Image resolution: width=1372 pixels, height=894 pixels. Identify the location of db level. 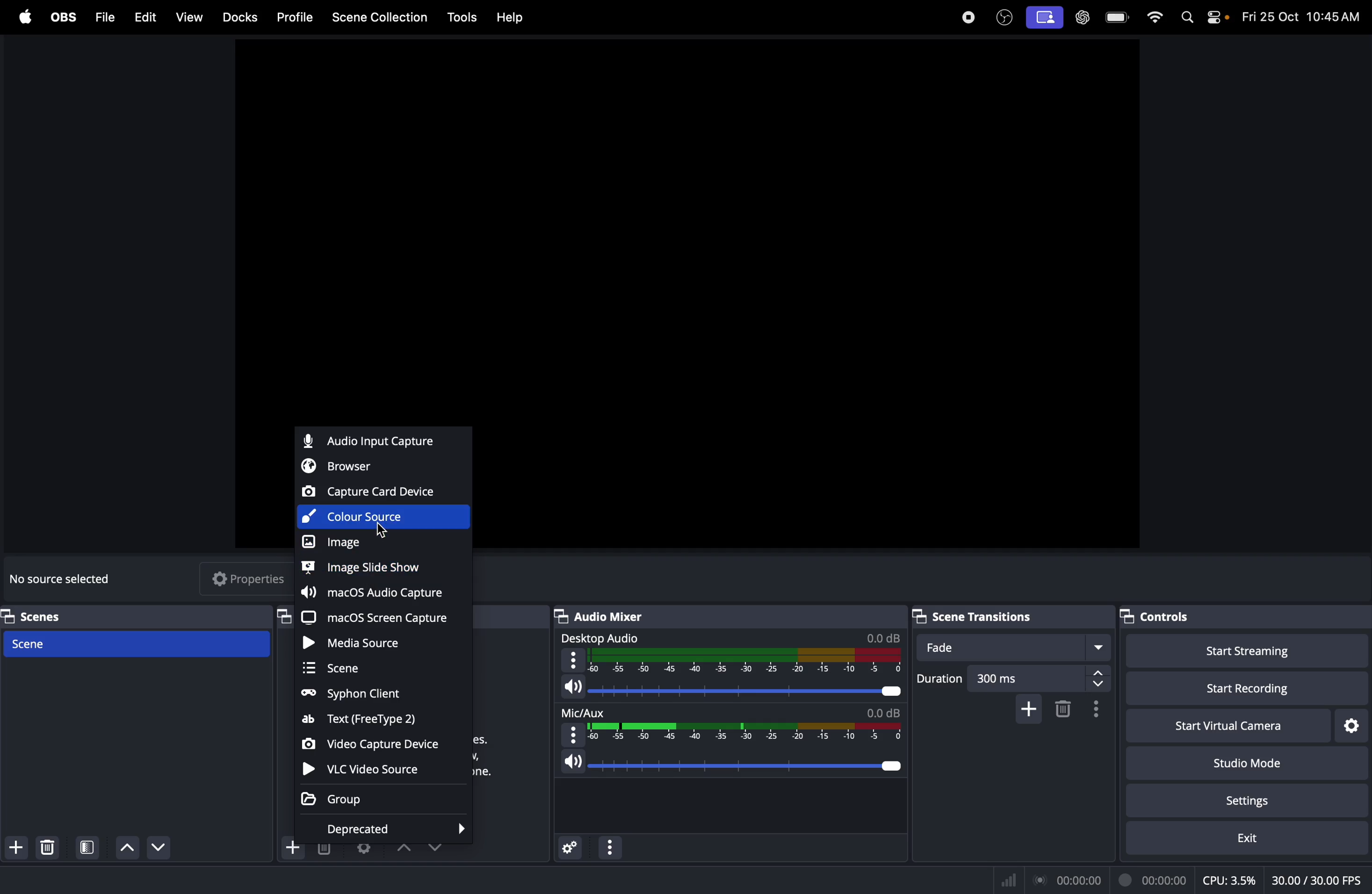
(881, 712).